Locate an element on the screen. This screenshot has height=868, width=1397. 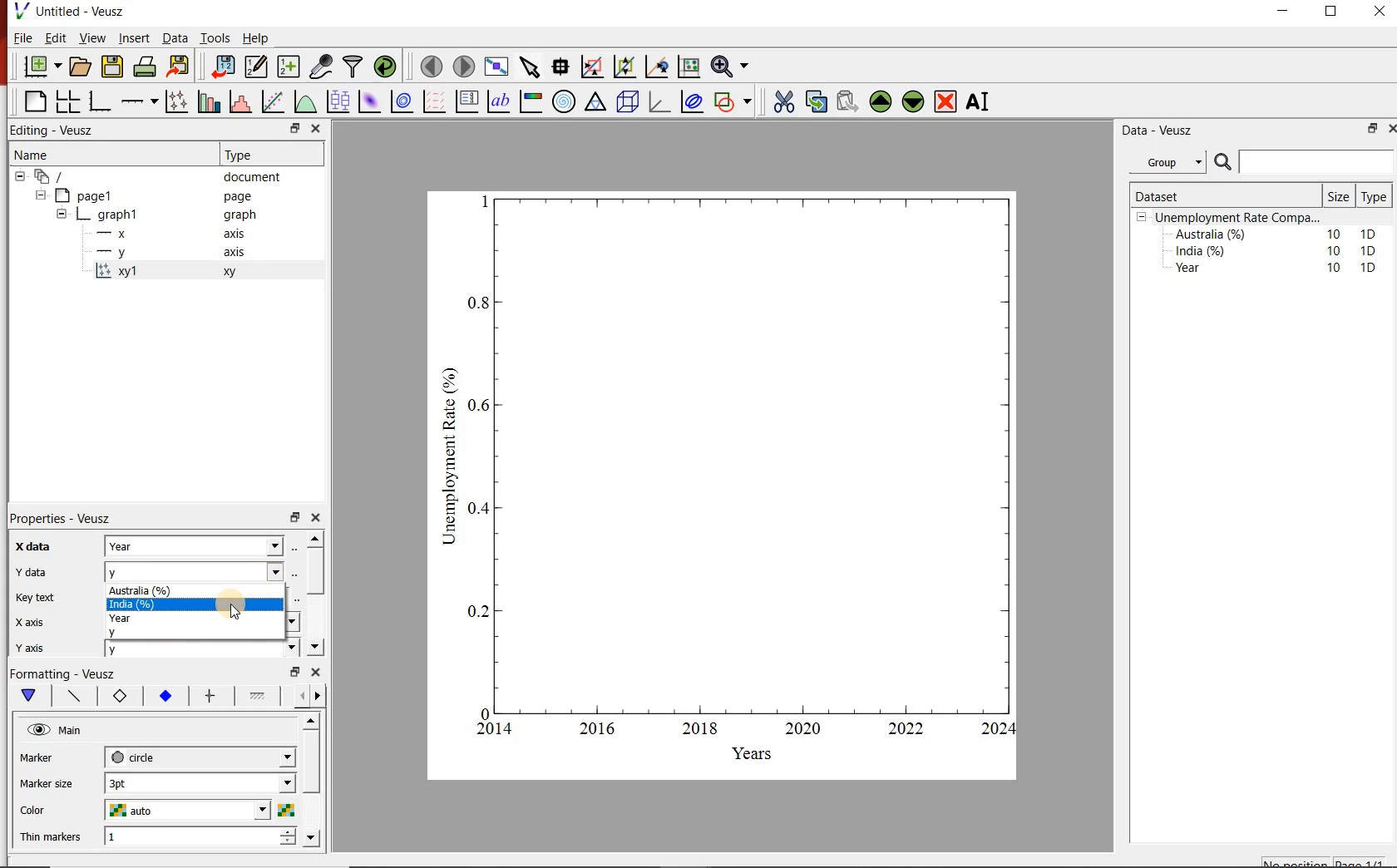
view plot on full screen is located at coordinates (498, 66).